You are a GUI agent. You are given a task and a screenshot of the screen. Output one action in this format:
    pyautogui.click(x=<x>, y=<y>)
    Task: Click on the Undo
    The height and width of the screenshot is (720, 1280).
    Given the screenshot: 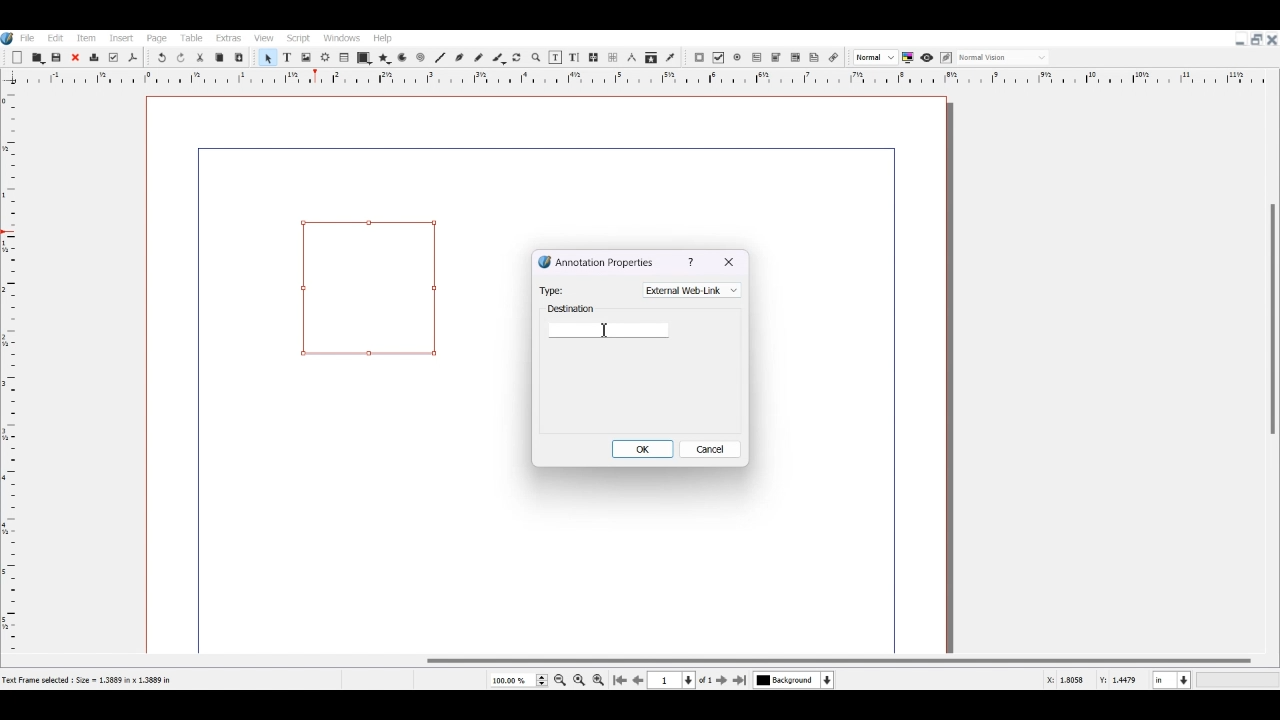 What is the action you would take?
    pyautogui.click(x=161, y=58)
    